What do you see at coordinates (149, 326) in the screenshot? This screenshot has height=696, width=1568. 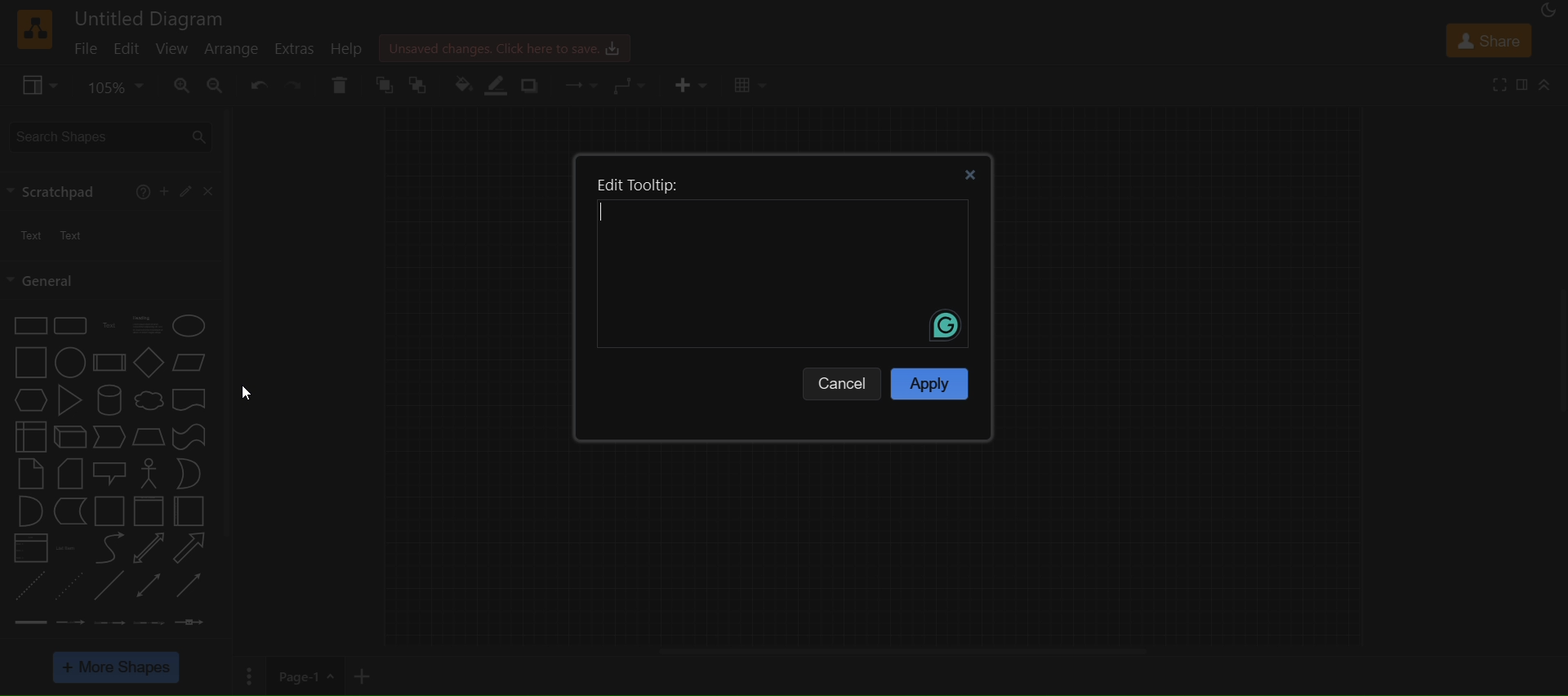 I see `heading` at bounding box center [149, 326].